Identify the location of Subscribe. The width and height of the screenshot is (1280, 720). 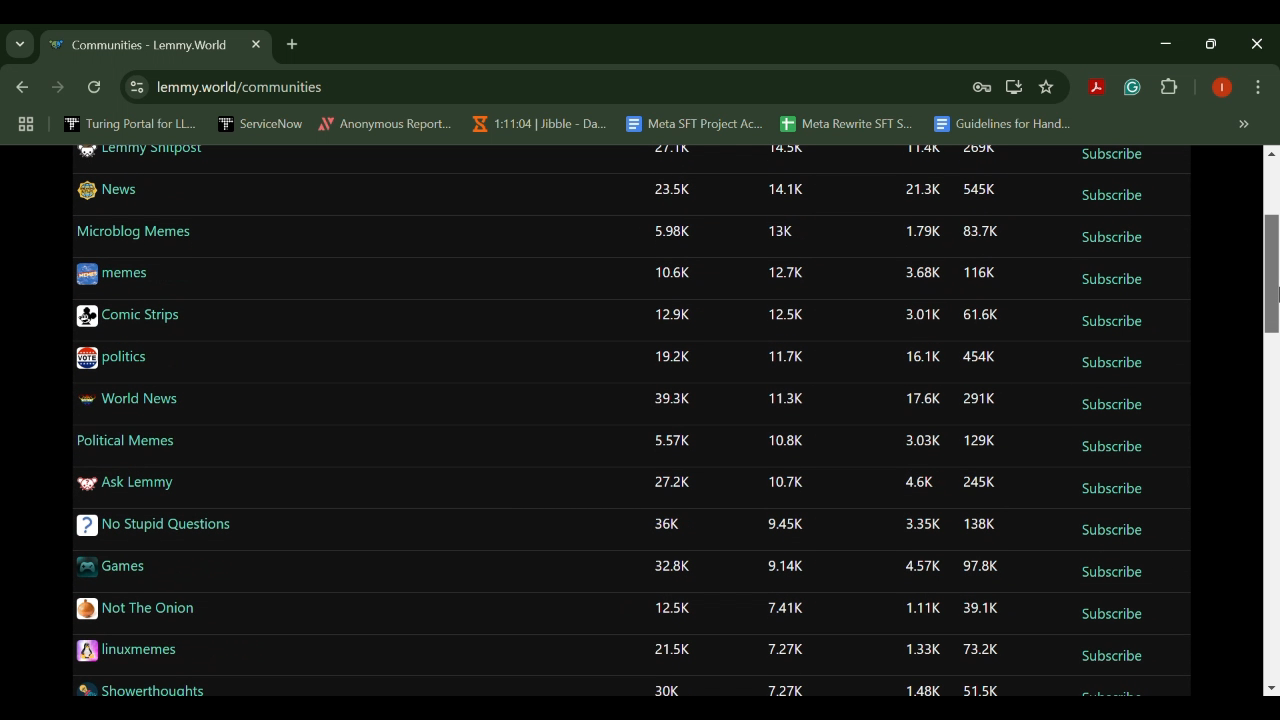
(1112, 363).